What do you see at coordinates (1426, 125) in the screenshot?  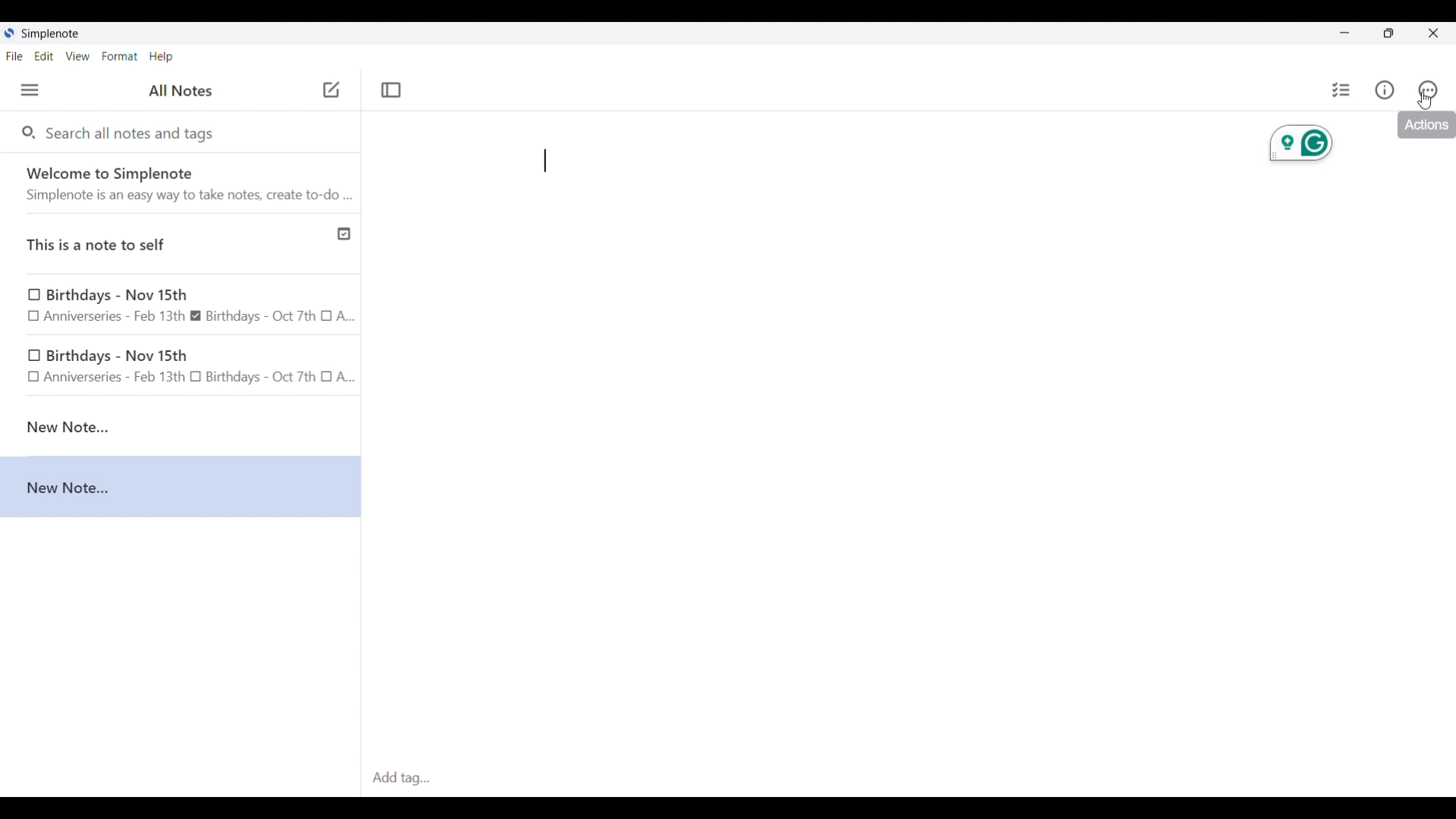 I see `Description of selected icon` at bounding box center [1426, 125].